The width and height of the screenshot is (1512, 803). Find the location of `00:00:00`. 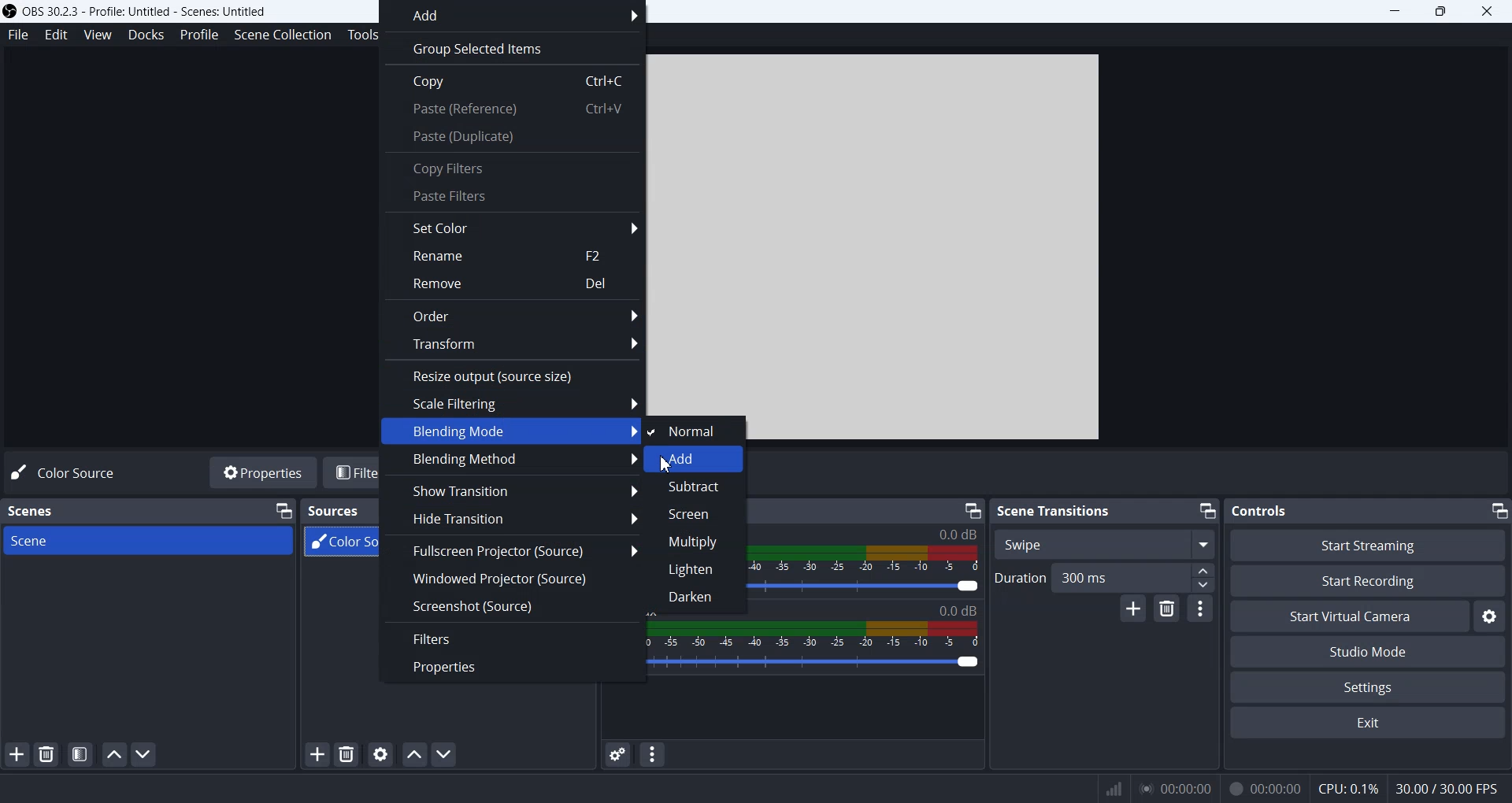

00:00:00 is located at coordinates (1263, 786).